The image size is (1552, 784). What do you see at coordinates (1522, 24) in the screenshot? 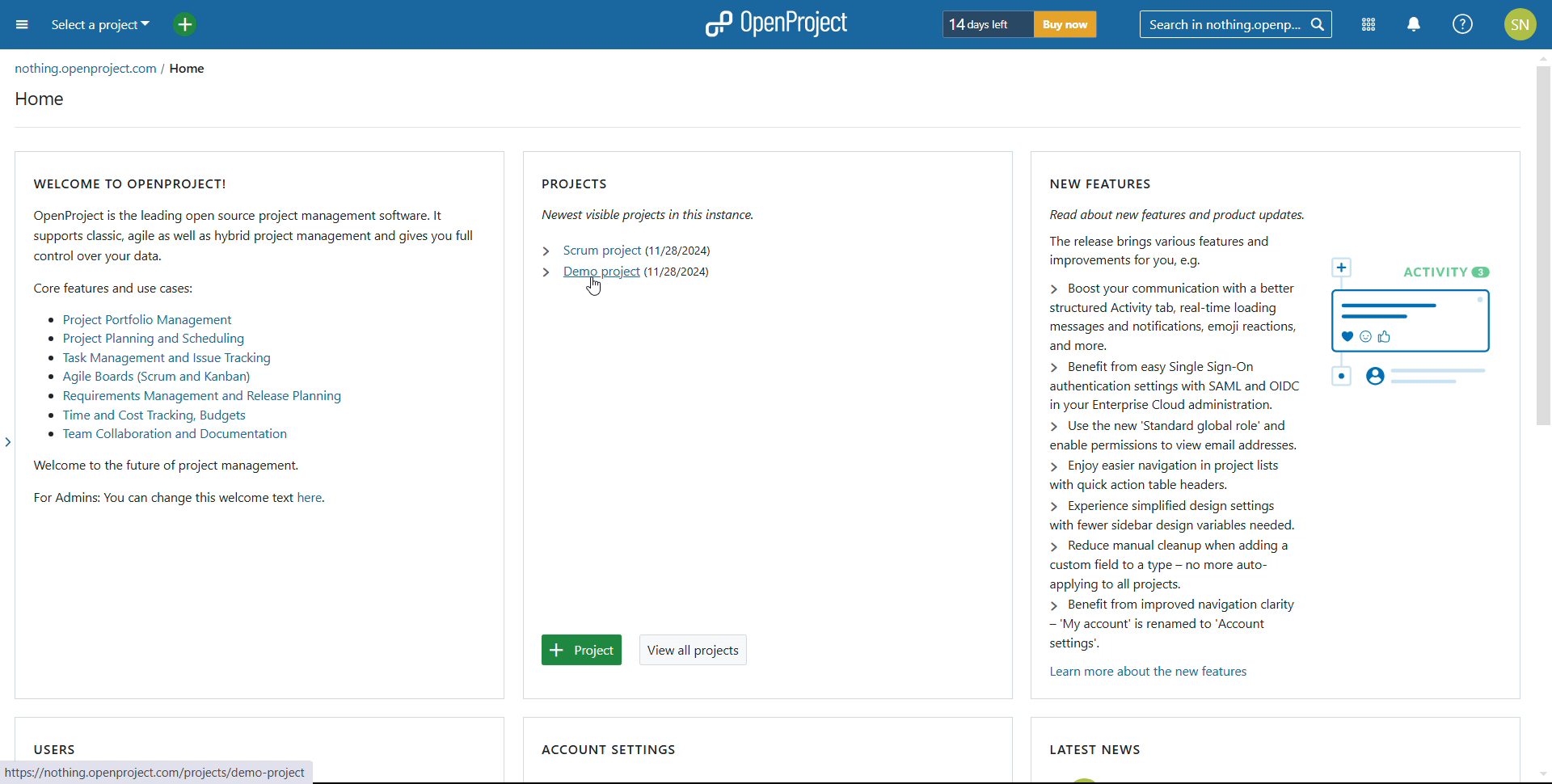
I see `account` at bounding box center [1522, 24].